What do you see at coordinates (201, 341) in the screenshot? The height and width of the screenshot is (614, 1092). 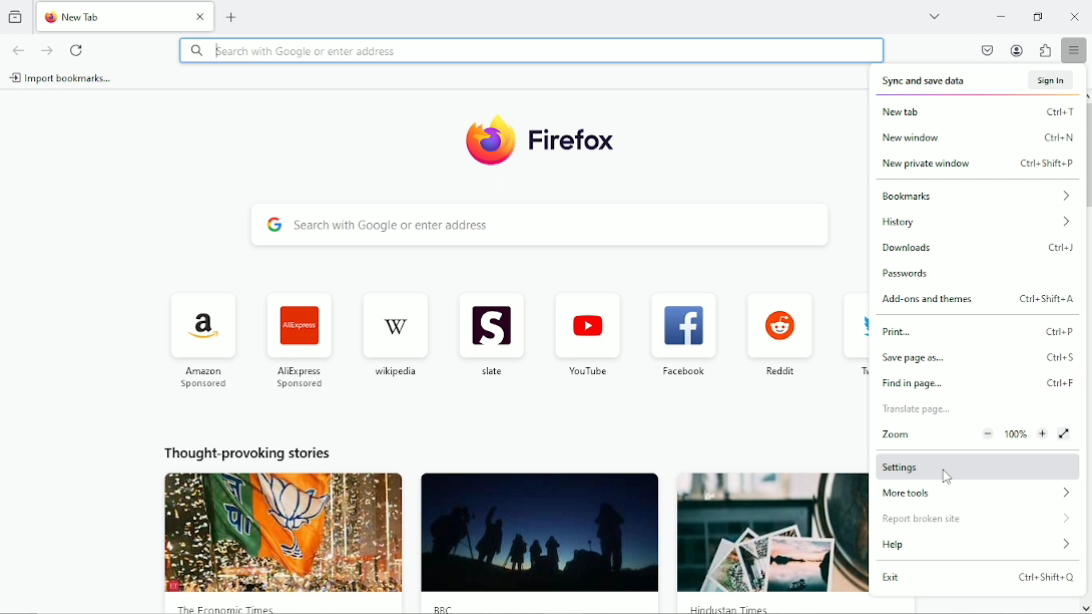 I see `amazon` at bounding box center [201, 341].